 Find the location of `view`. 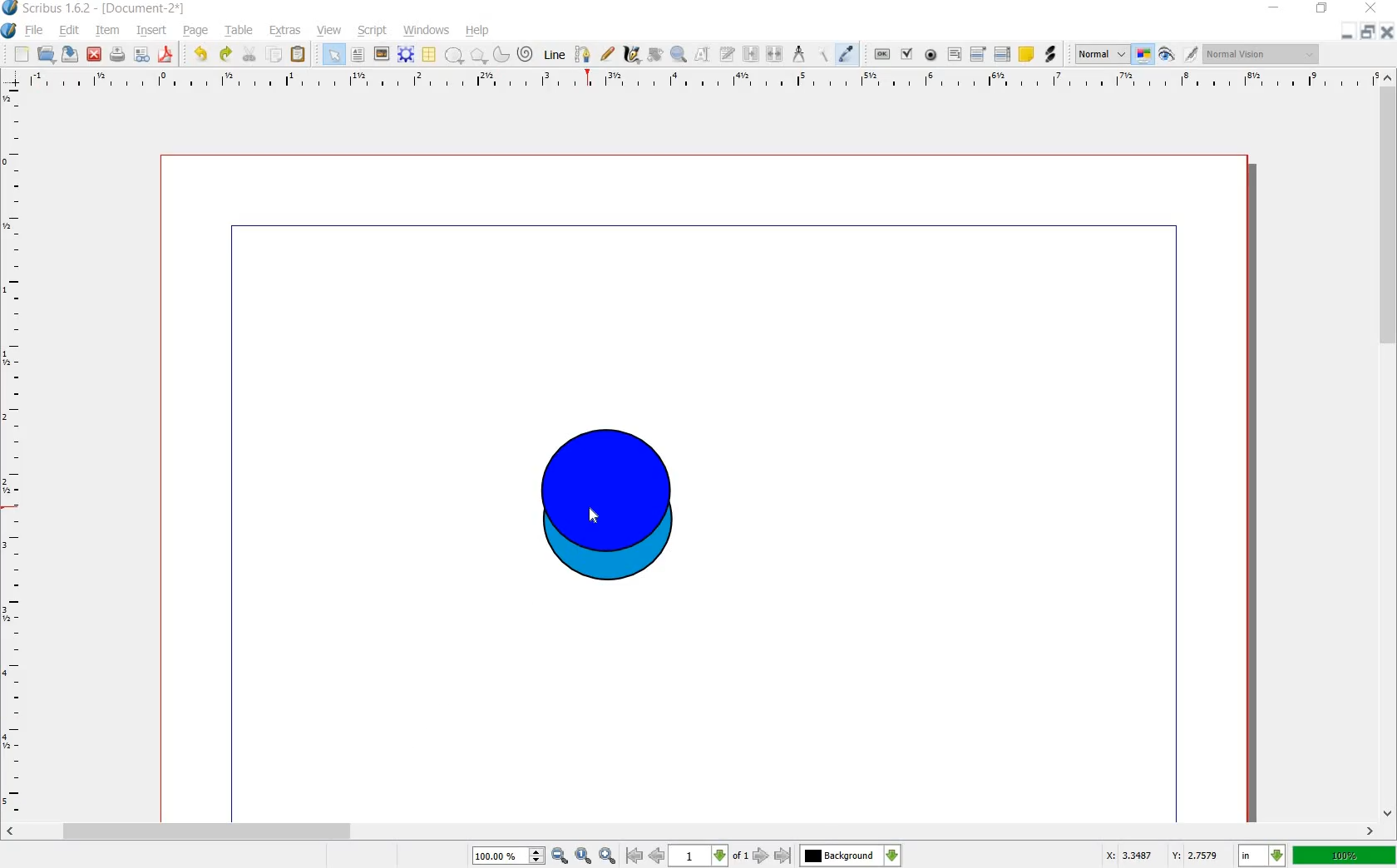

view is located at coordinates (328, 31).